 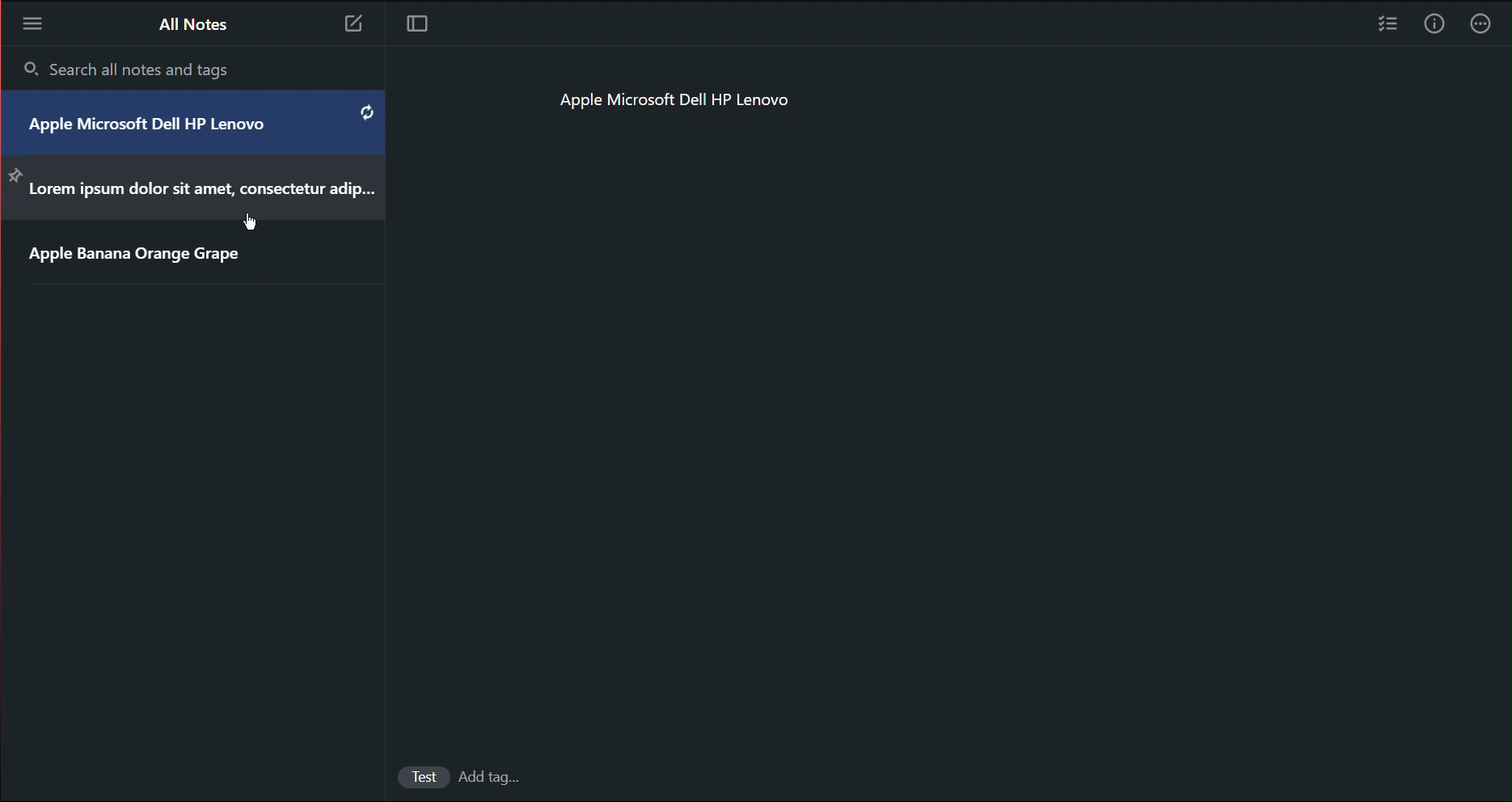 I want to click on learn ipsum dolor sit amet, consectetur adip..., so click(x=202, y=192).